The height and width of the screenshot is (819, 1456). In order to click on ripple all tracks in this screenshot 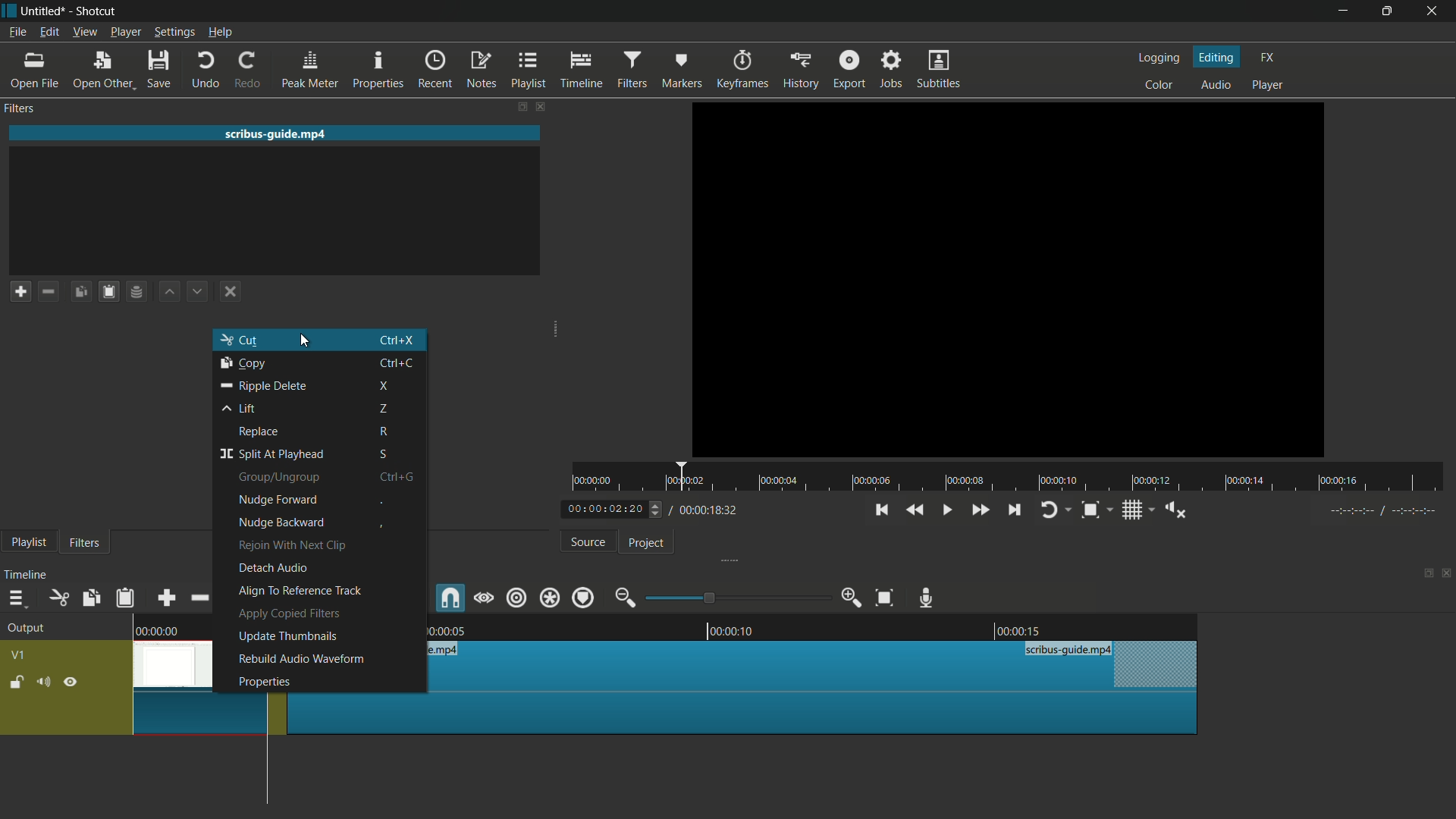, I will do `click(549, 598)`.